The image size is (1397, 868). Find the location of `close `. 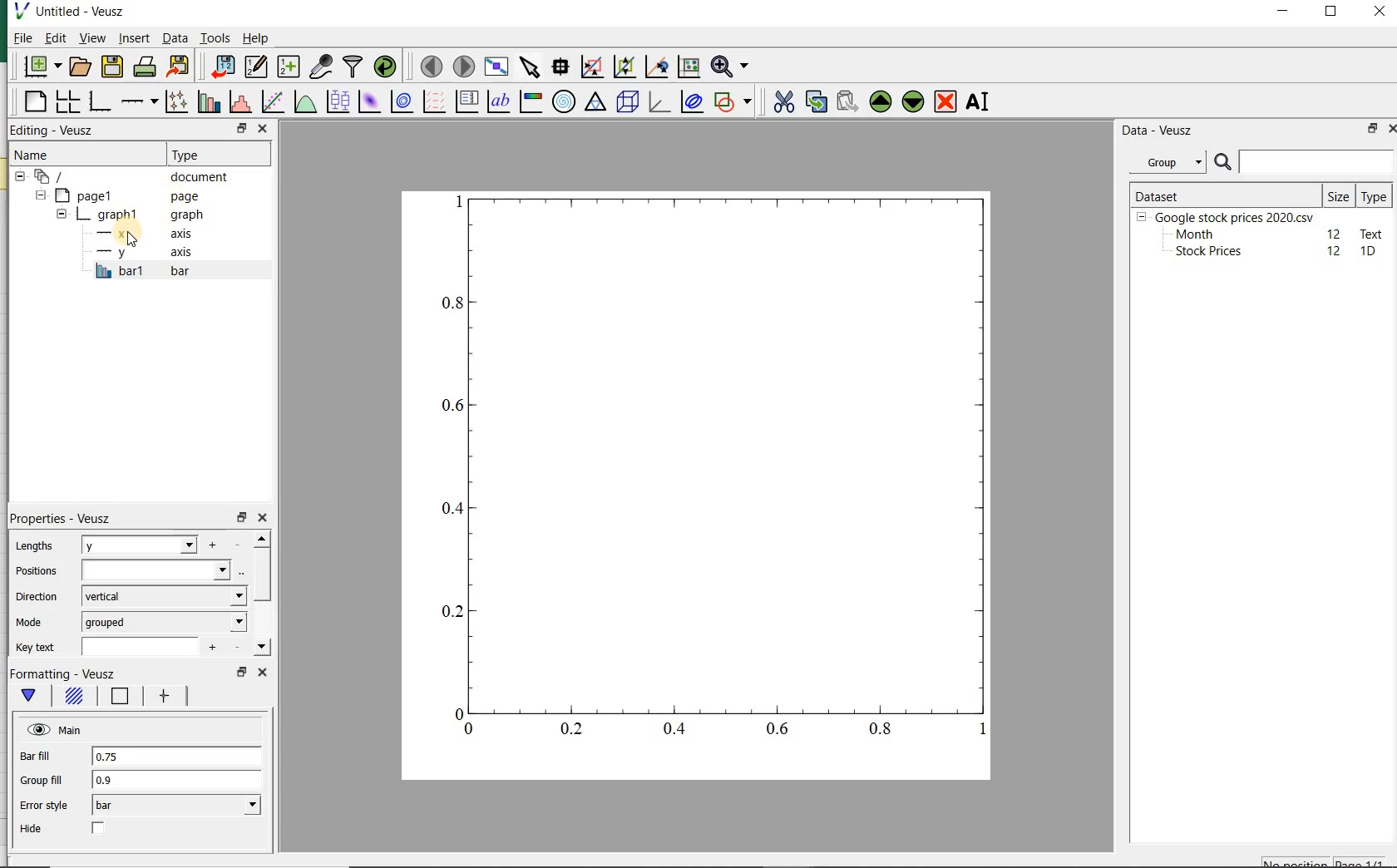

close  is located at coordinates (1396, 129).